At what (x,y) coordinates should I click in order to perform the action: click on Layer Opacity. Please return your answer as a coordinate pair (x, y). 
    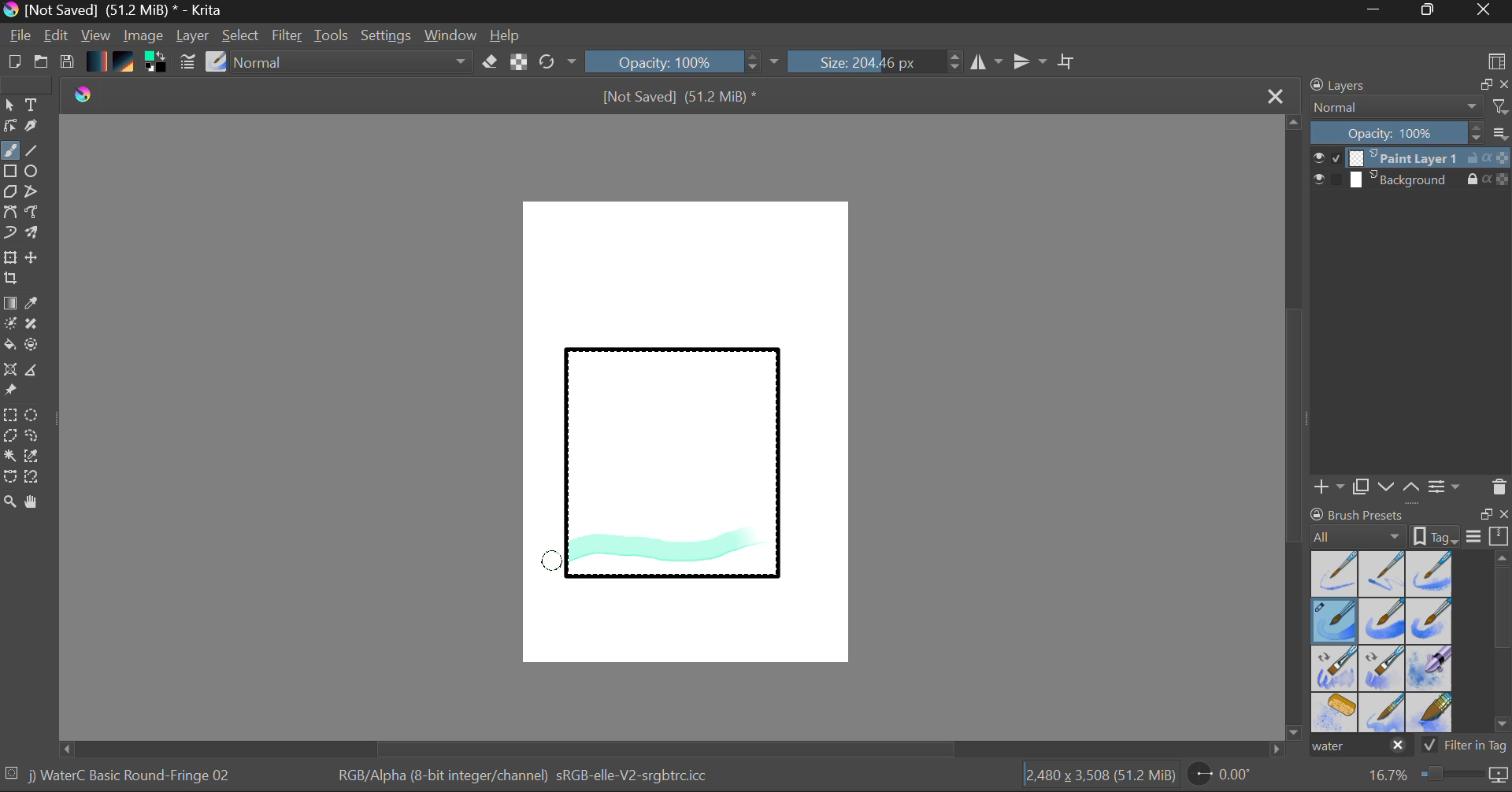
    Looking at the image, I should click on (1412, 134).